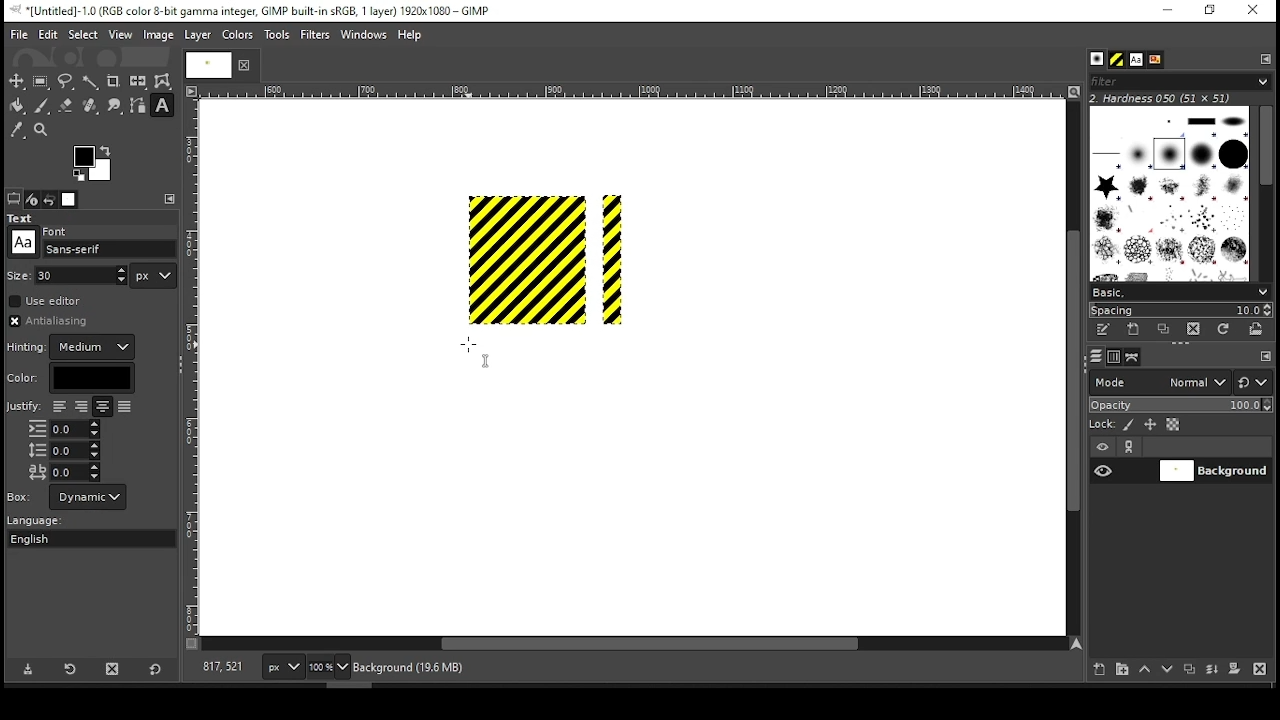 The height and width of the screenshot is (720, 1280). Describe the element at coordinates (83, 275) in the screenshot. I see `font size` at that location.